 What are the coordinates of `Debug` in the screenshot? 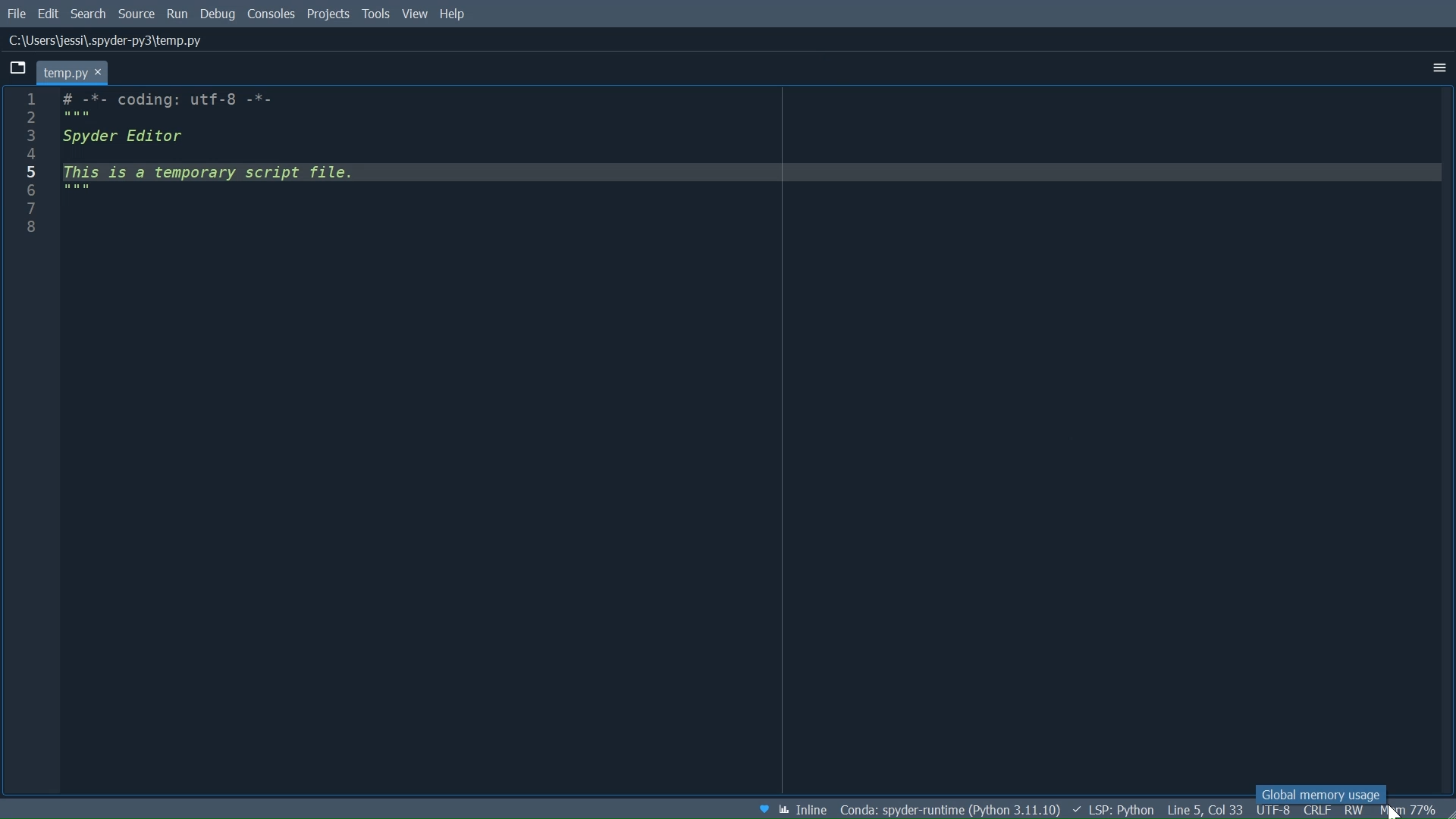 It's located at (219, 15).